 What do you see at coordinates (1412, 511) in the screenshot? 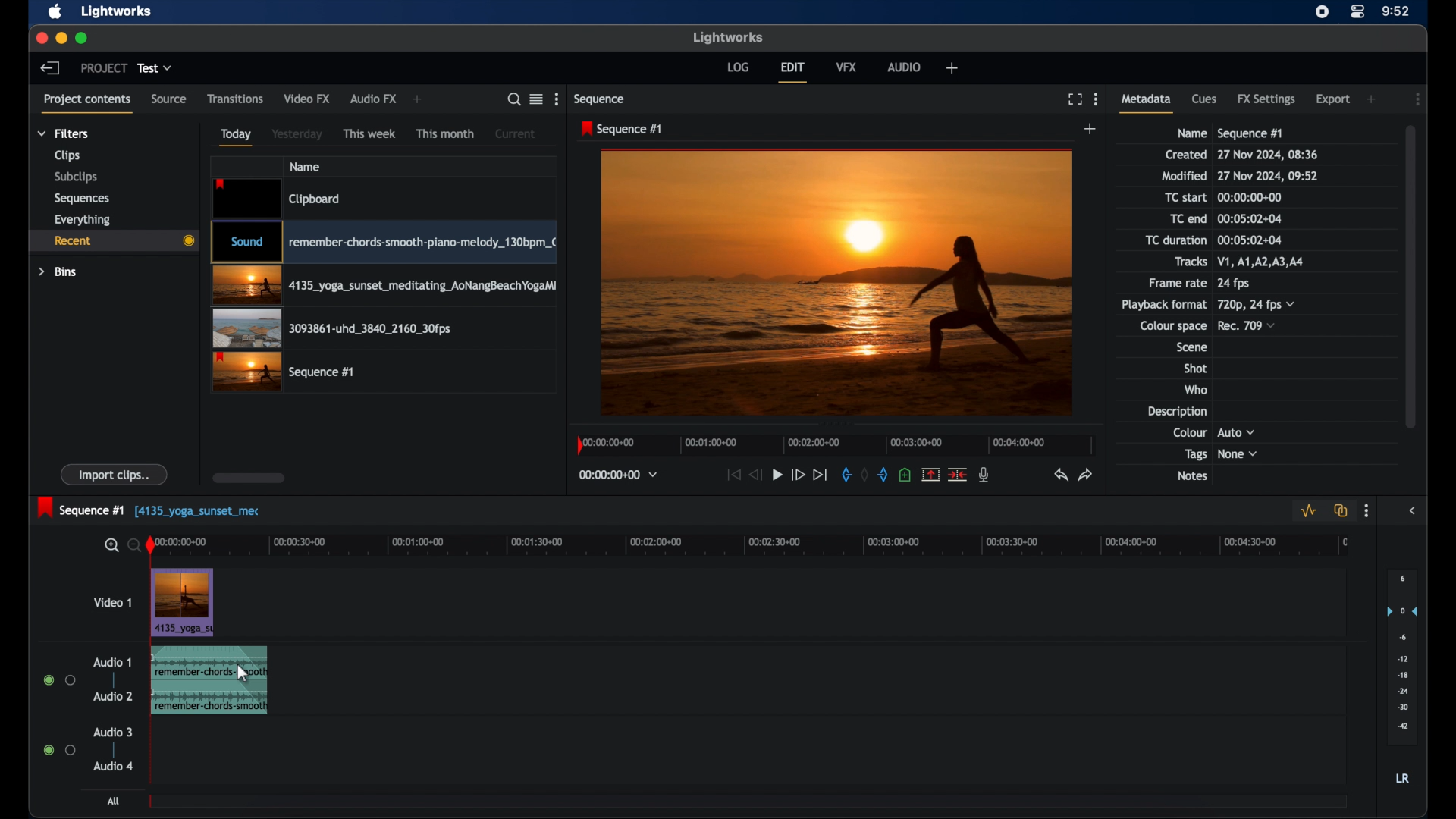
I see `sidebar` at bounding box center [1412, 511].